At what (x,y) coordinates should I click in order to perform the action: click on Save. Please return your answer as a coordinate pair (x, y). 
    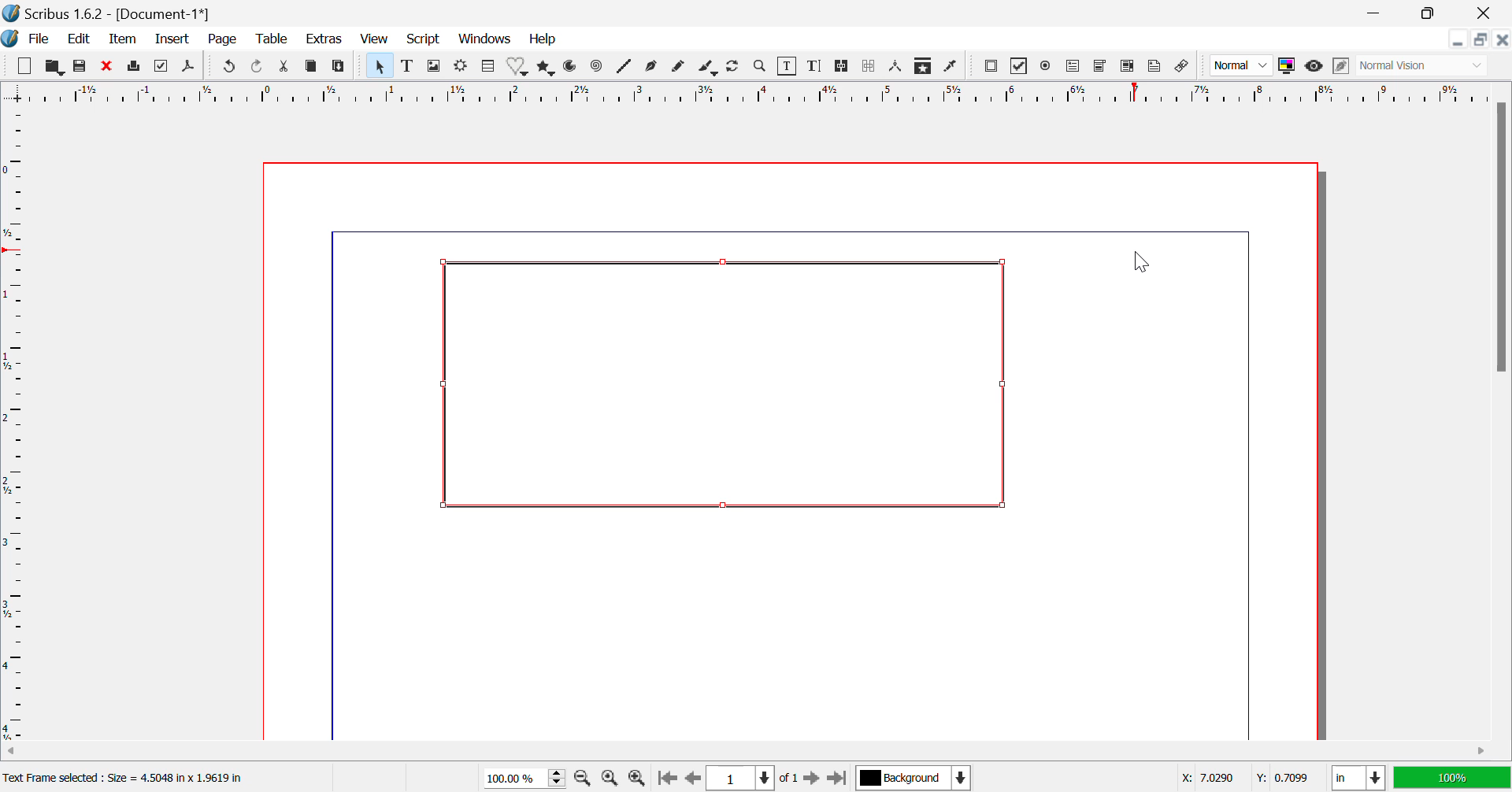
    Looking at the image, I should click on (79, 66).